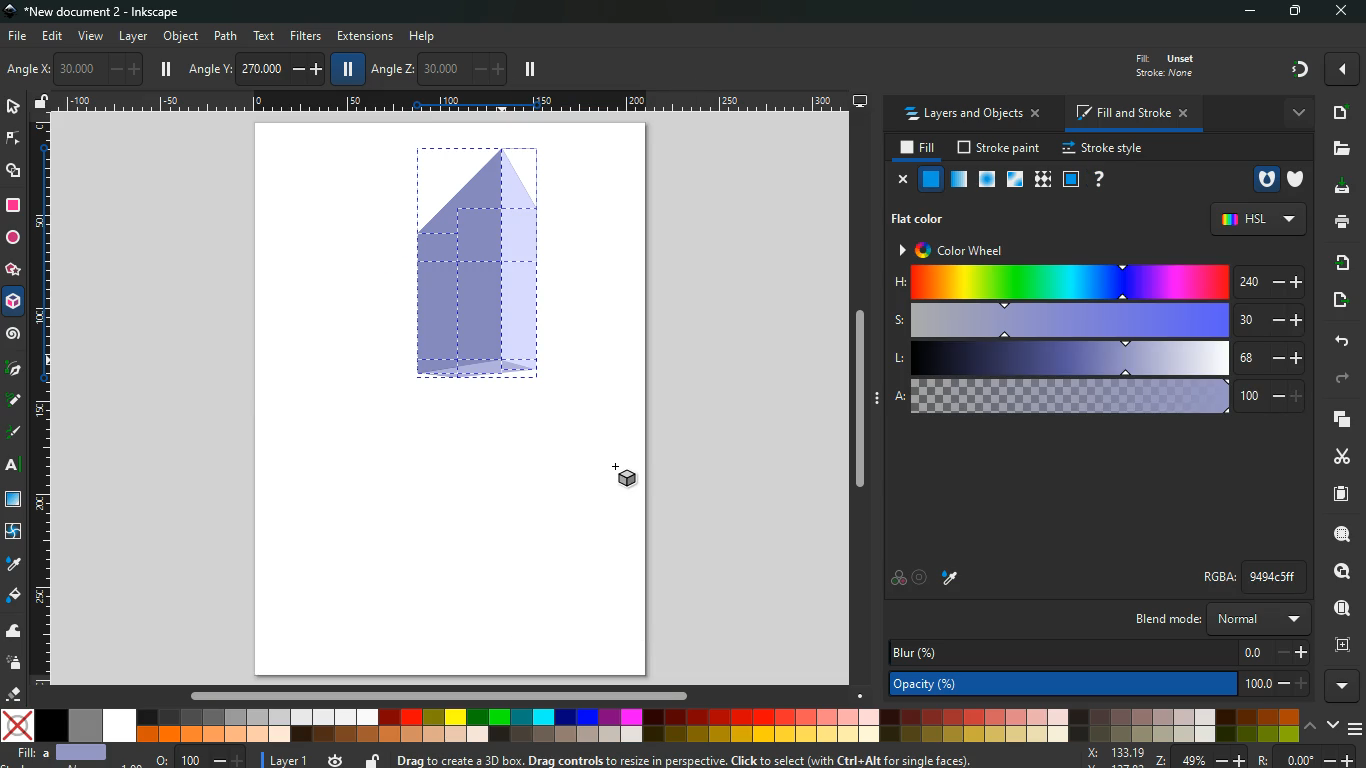  I want to click on layers, so click(1336, 418).